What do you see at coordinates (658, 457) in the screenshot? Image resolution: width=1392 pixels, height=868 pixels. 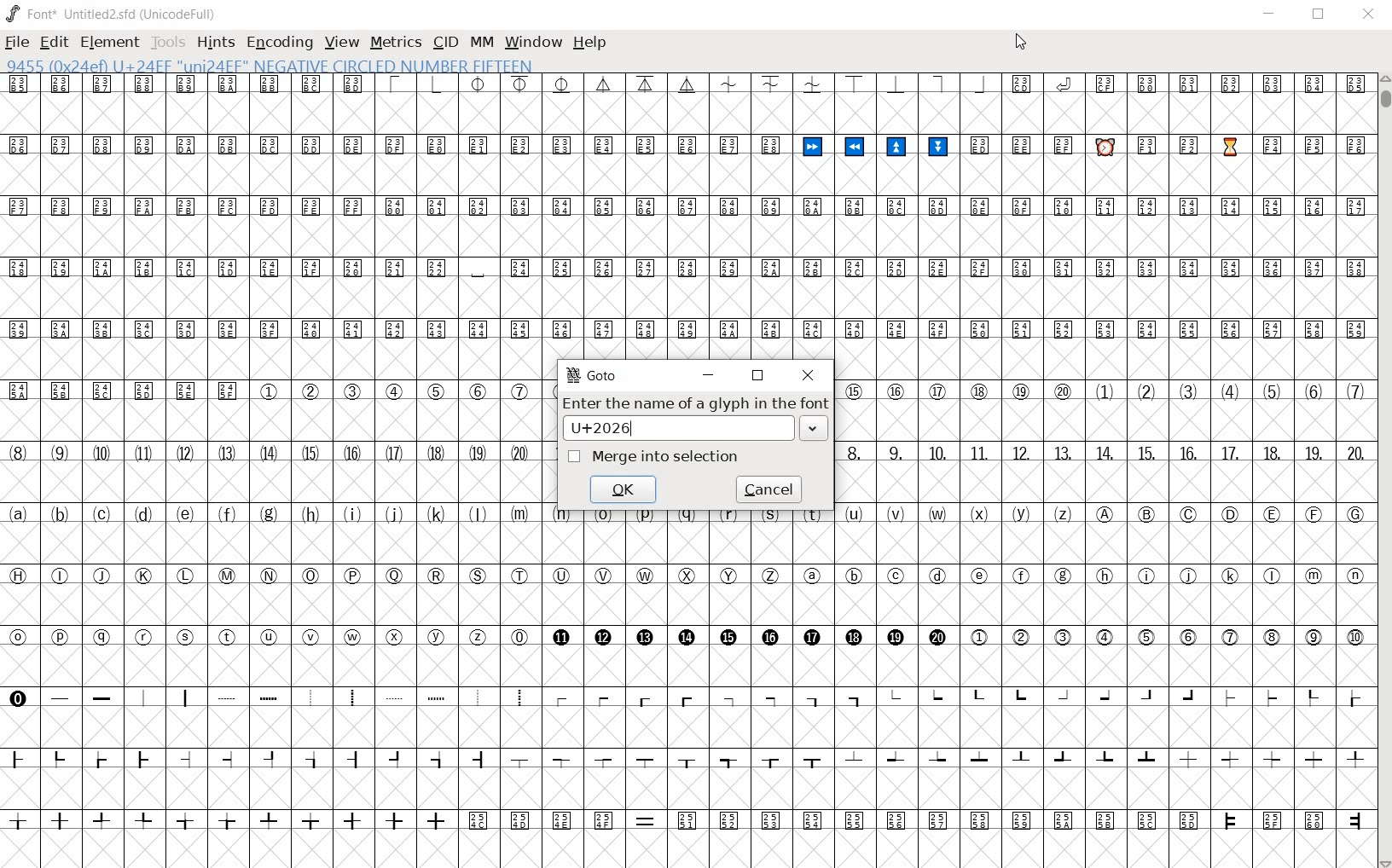 I see `merge into selection` at bounding box center [658, 457].